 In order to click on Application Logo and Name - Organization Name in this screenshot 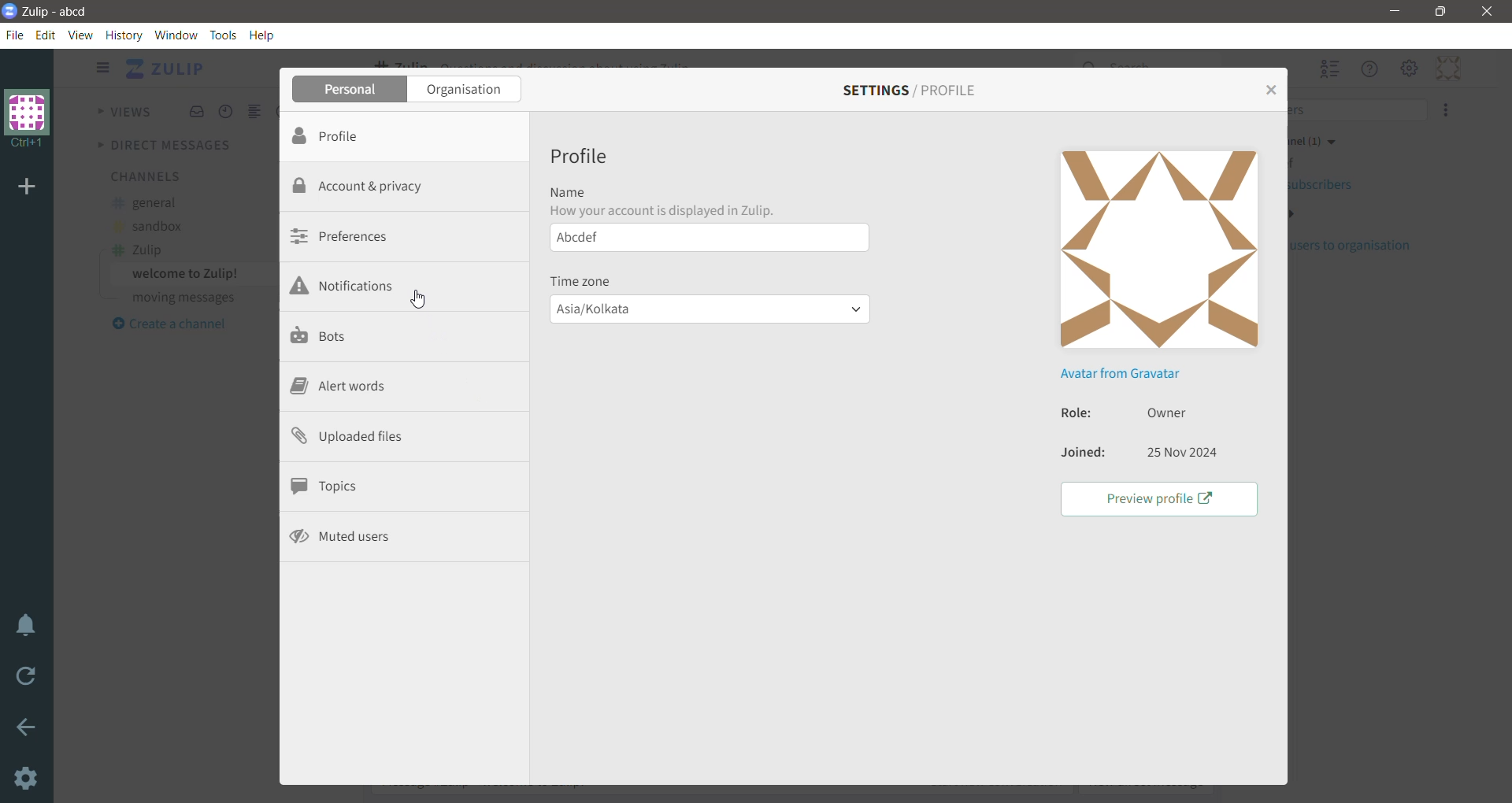, I will do `click(53, 11)`.